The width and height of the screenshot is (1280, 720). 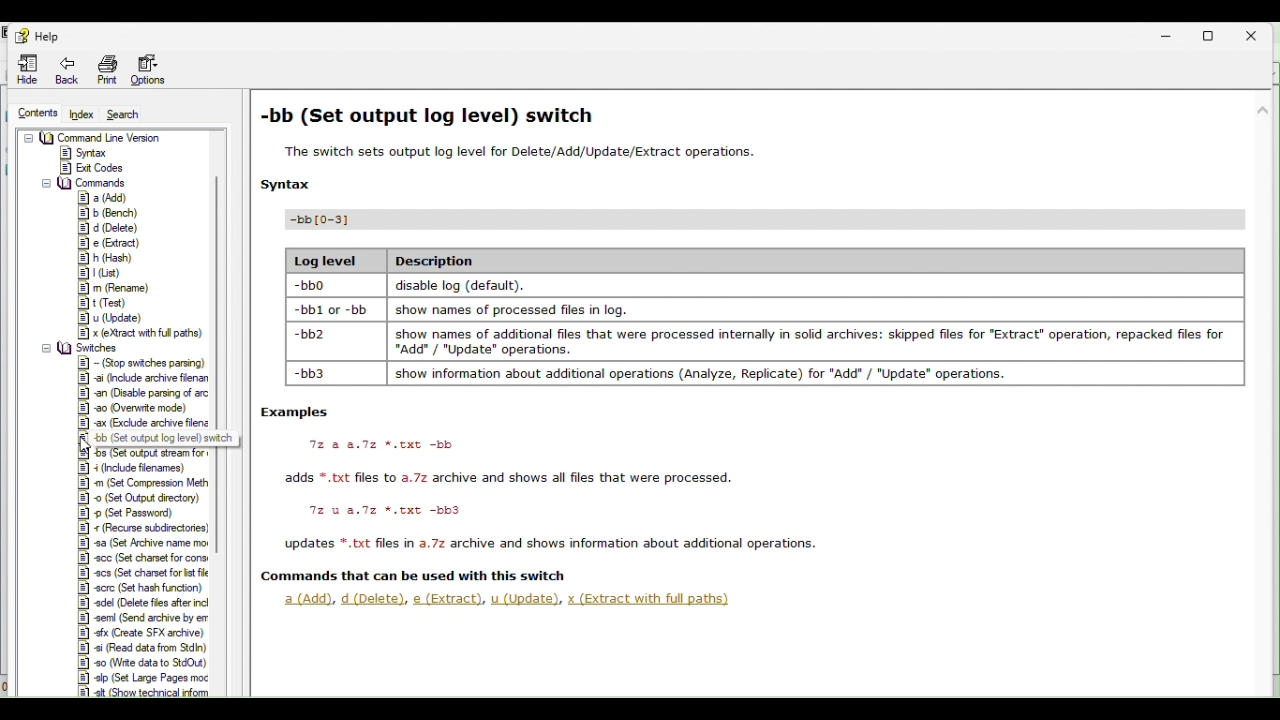 I want to click on set output log level page, so click(x=769, y=322).